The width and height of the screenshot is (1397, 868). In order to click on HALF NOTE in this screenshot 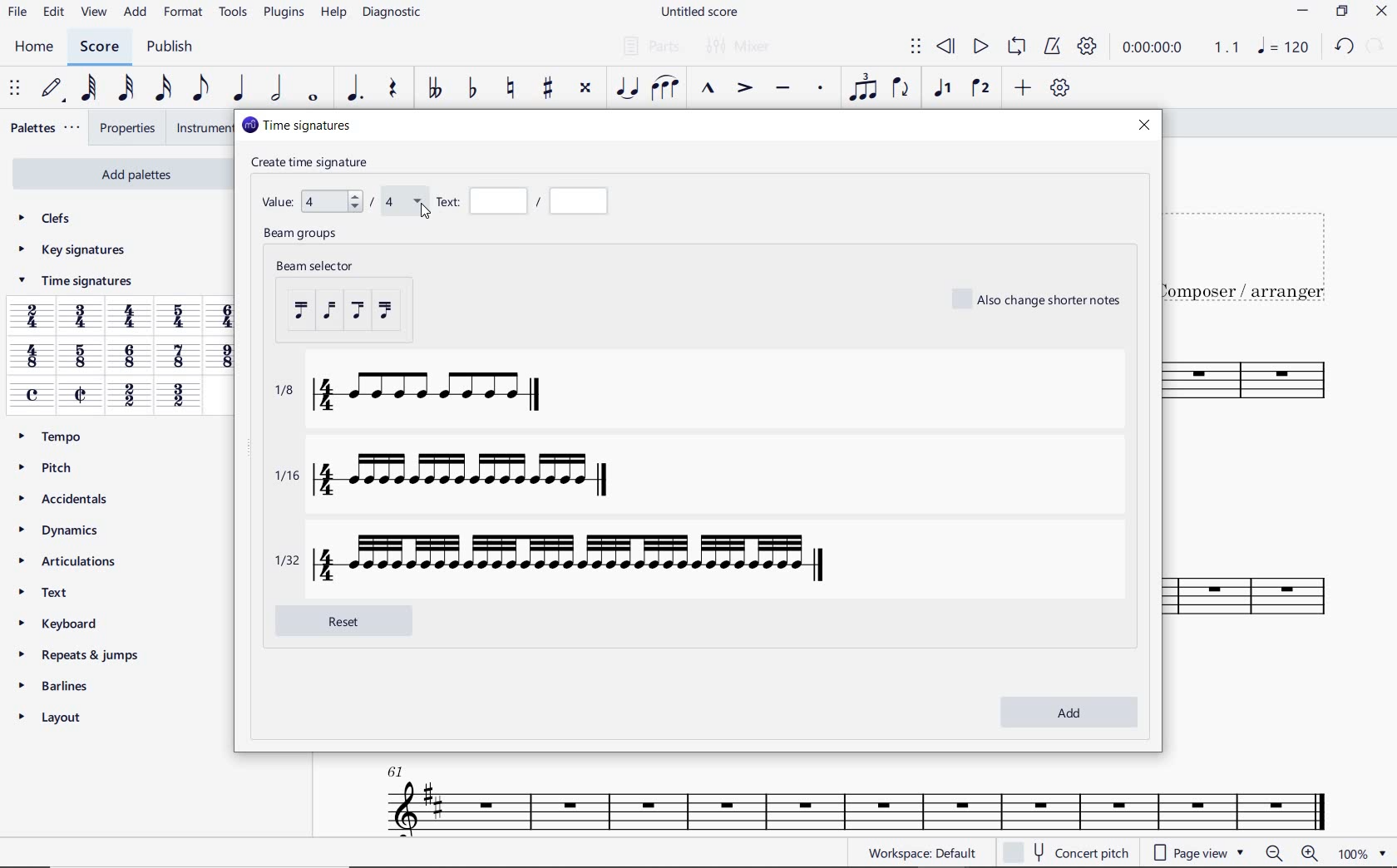, I will do `click(275, 89)`.